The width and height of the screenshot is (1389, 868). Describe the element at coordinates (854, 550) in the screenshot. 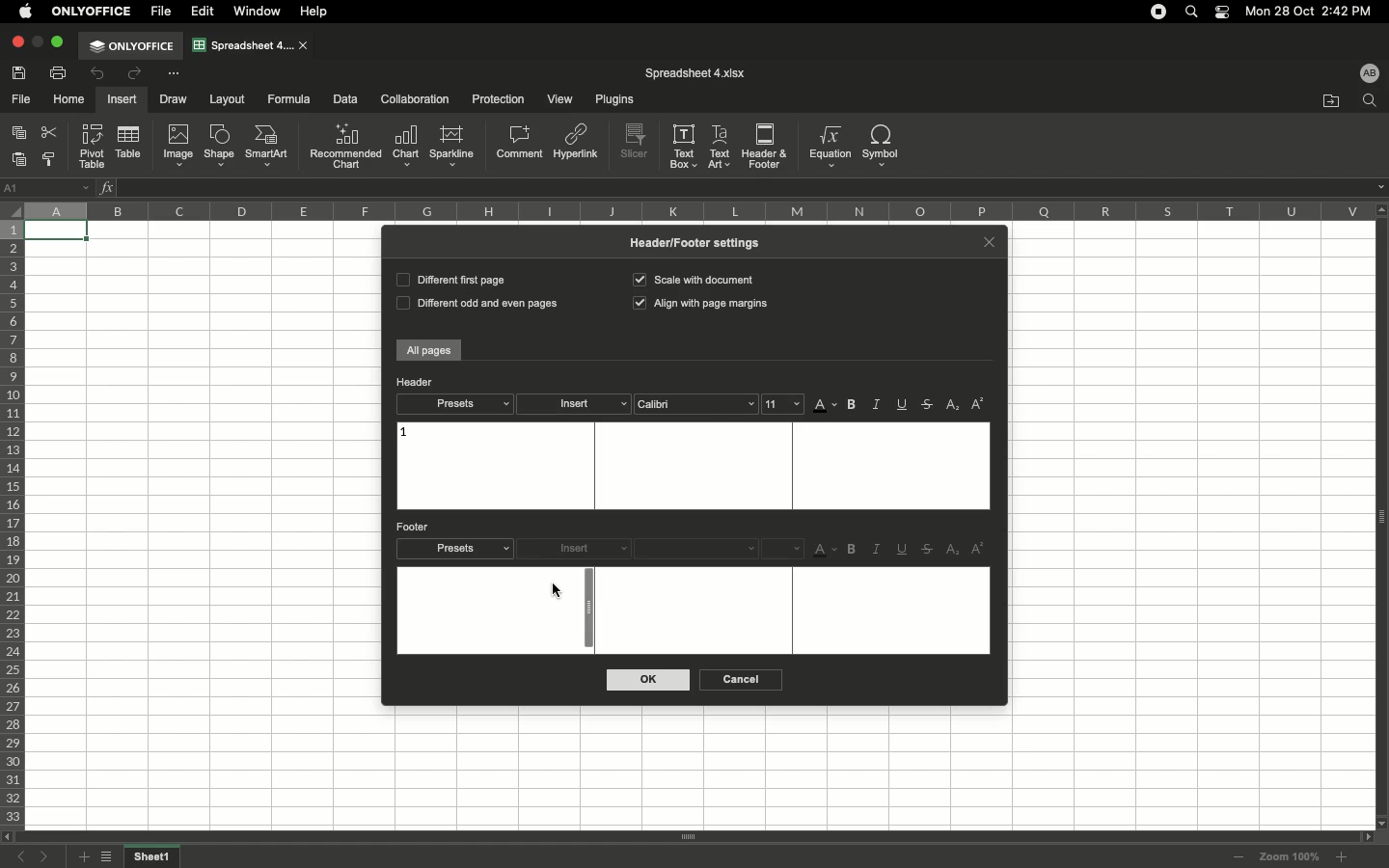

I see `Bold` at that location.